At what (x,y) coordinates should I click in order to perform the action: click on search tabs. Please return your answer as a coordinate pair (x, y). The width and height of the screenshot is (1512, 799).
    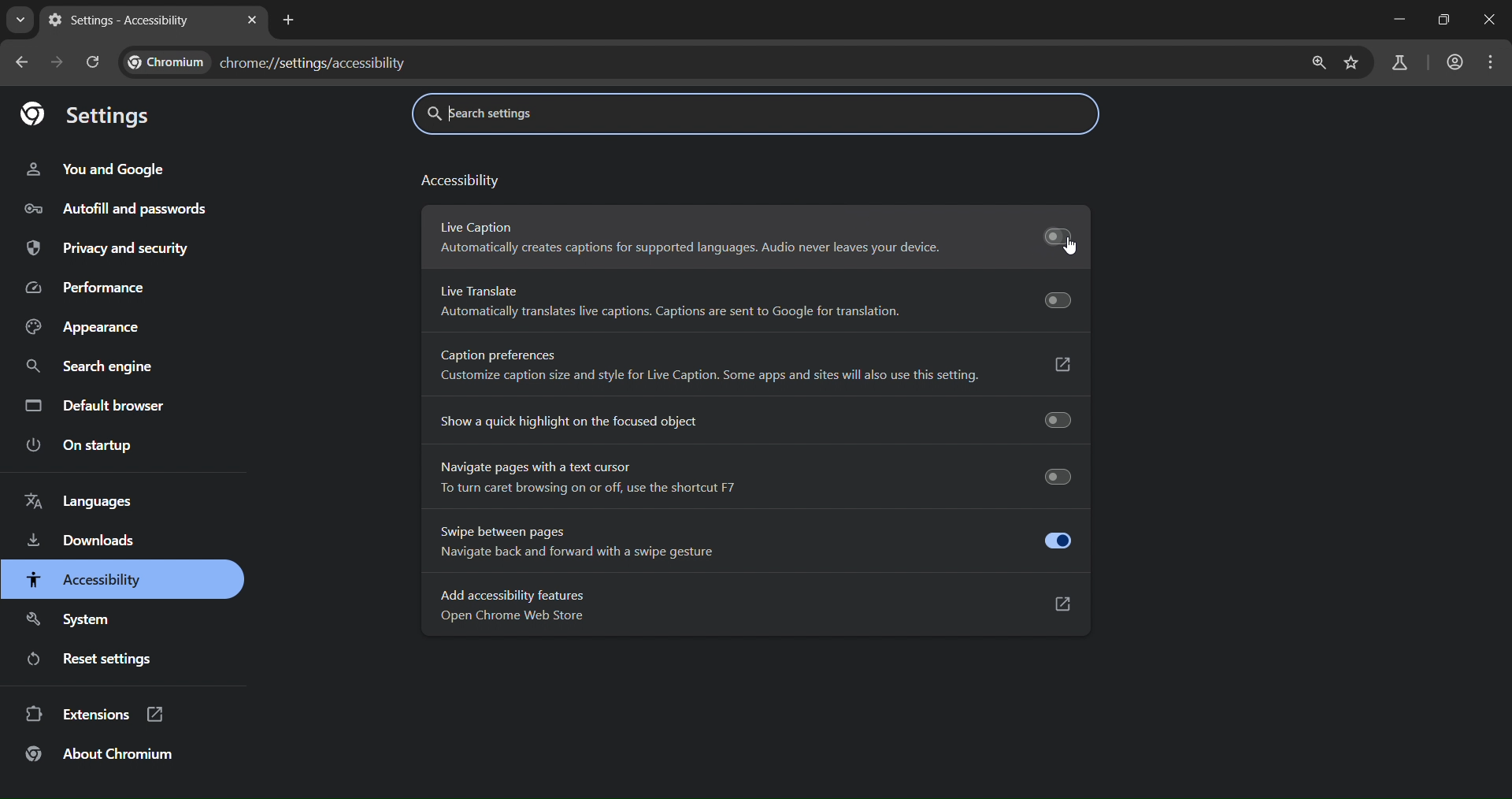
    Looking at the image, I should click on (20, 21).